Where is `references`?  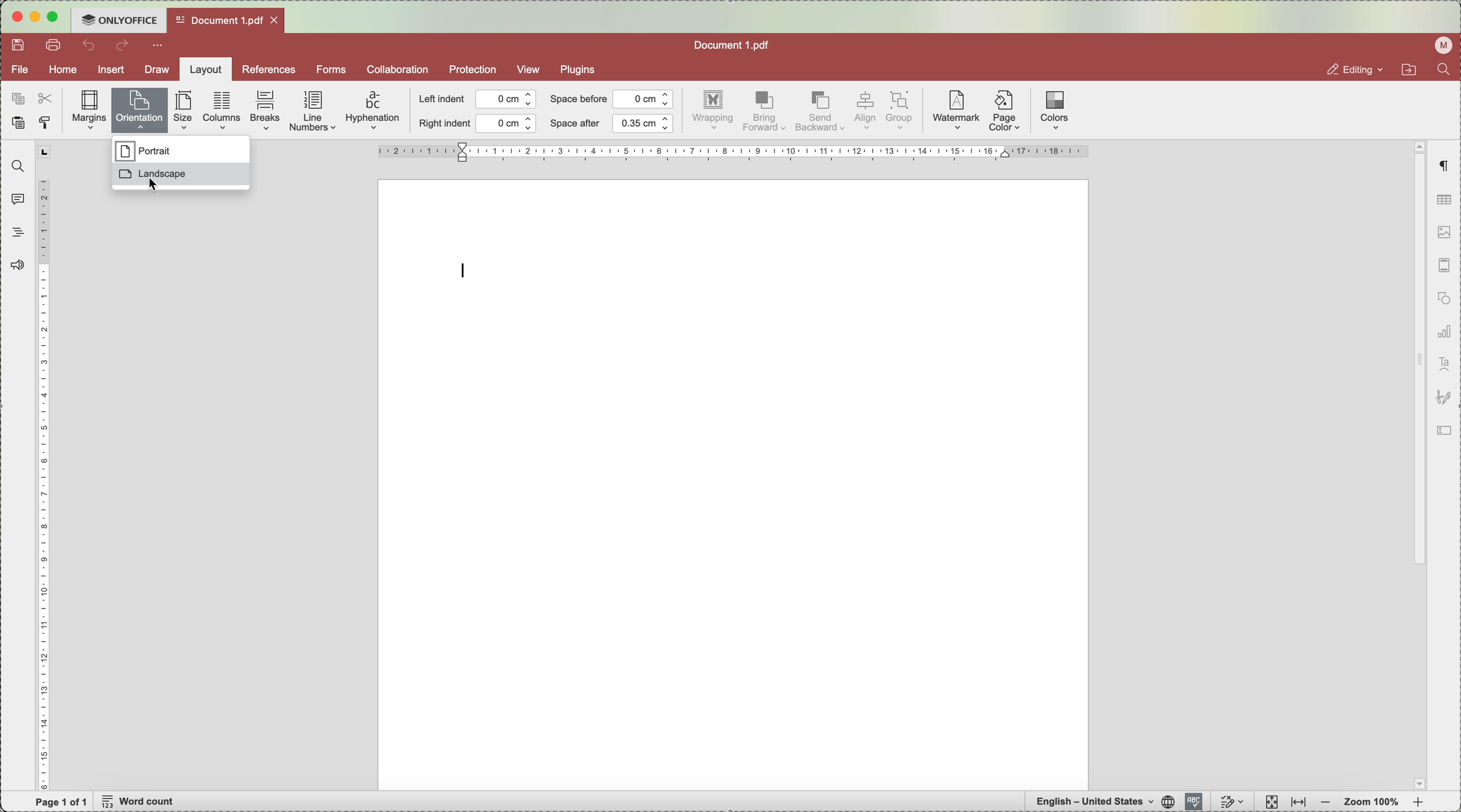 references is located at coordinates (268, 69).